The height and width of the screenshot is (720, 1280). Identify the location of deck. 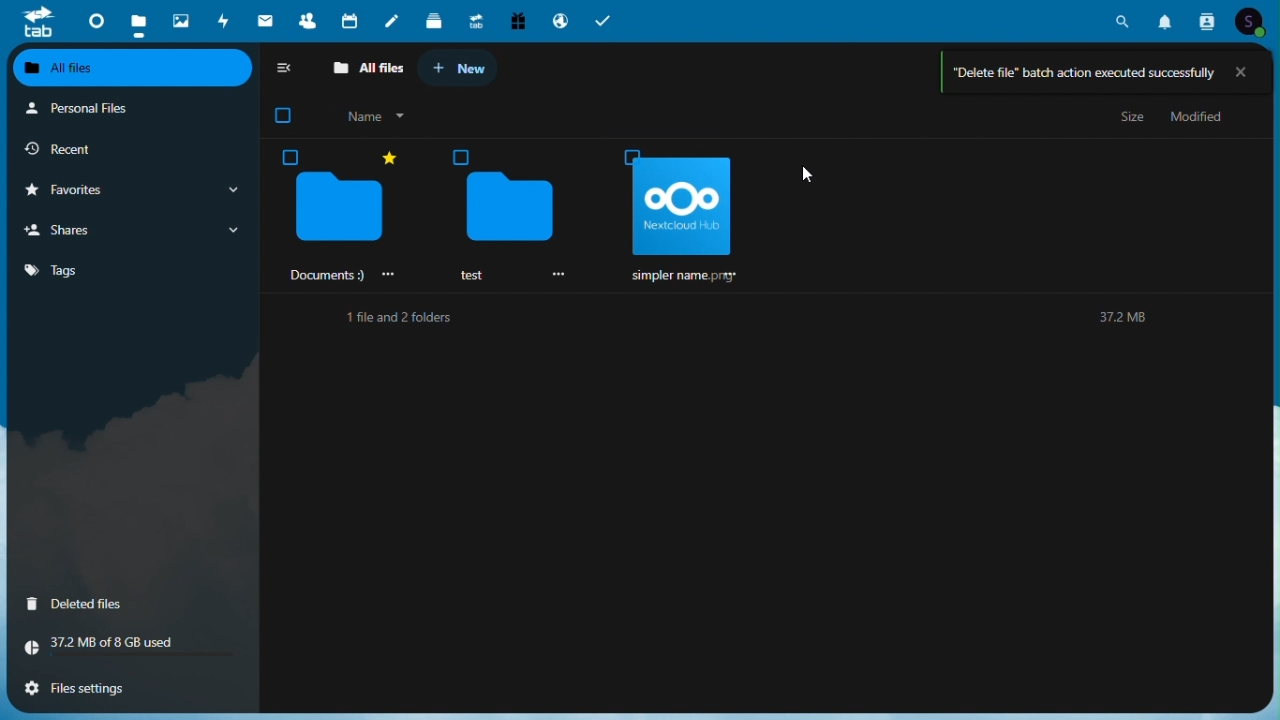
(434, 21).